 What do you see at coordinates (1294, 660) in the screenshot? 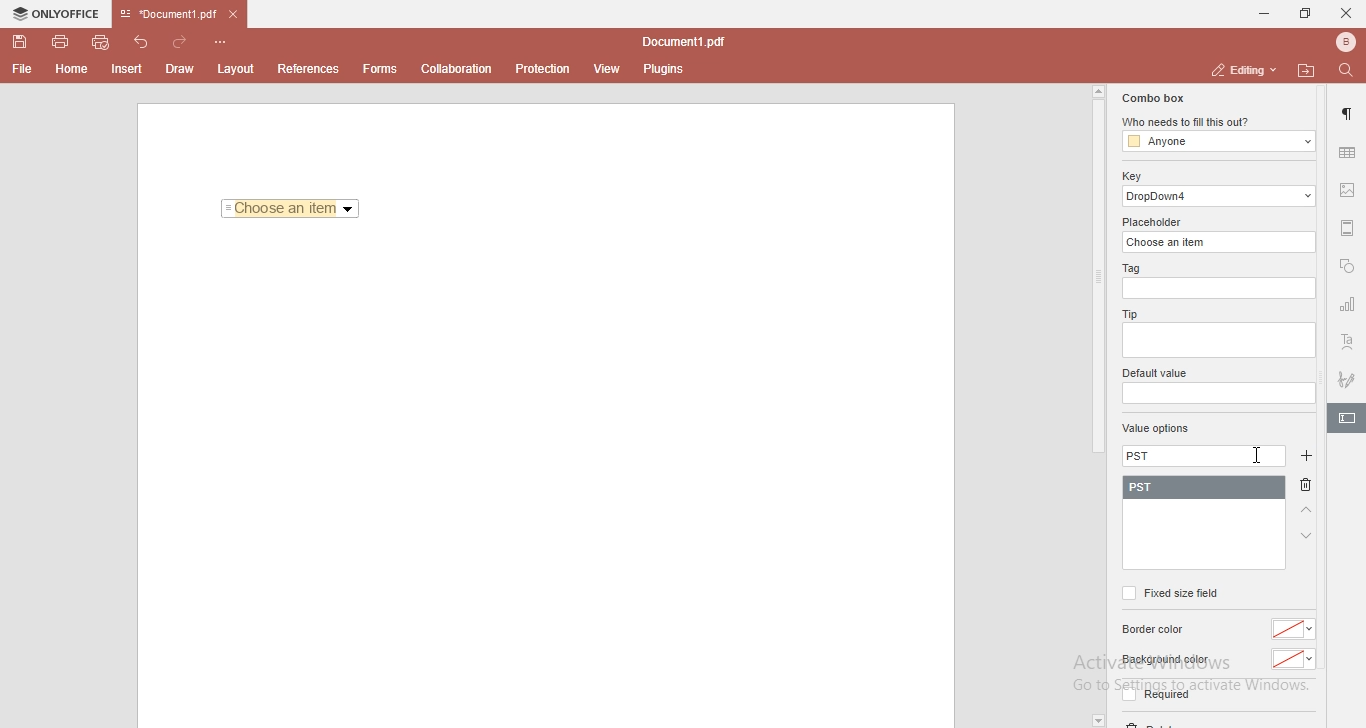
I see `color dropdown` at bounding box center [1294, 660].